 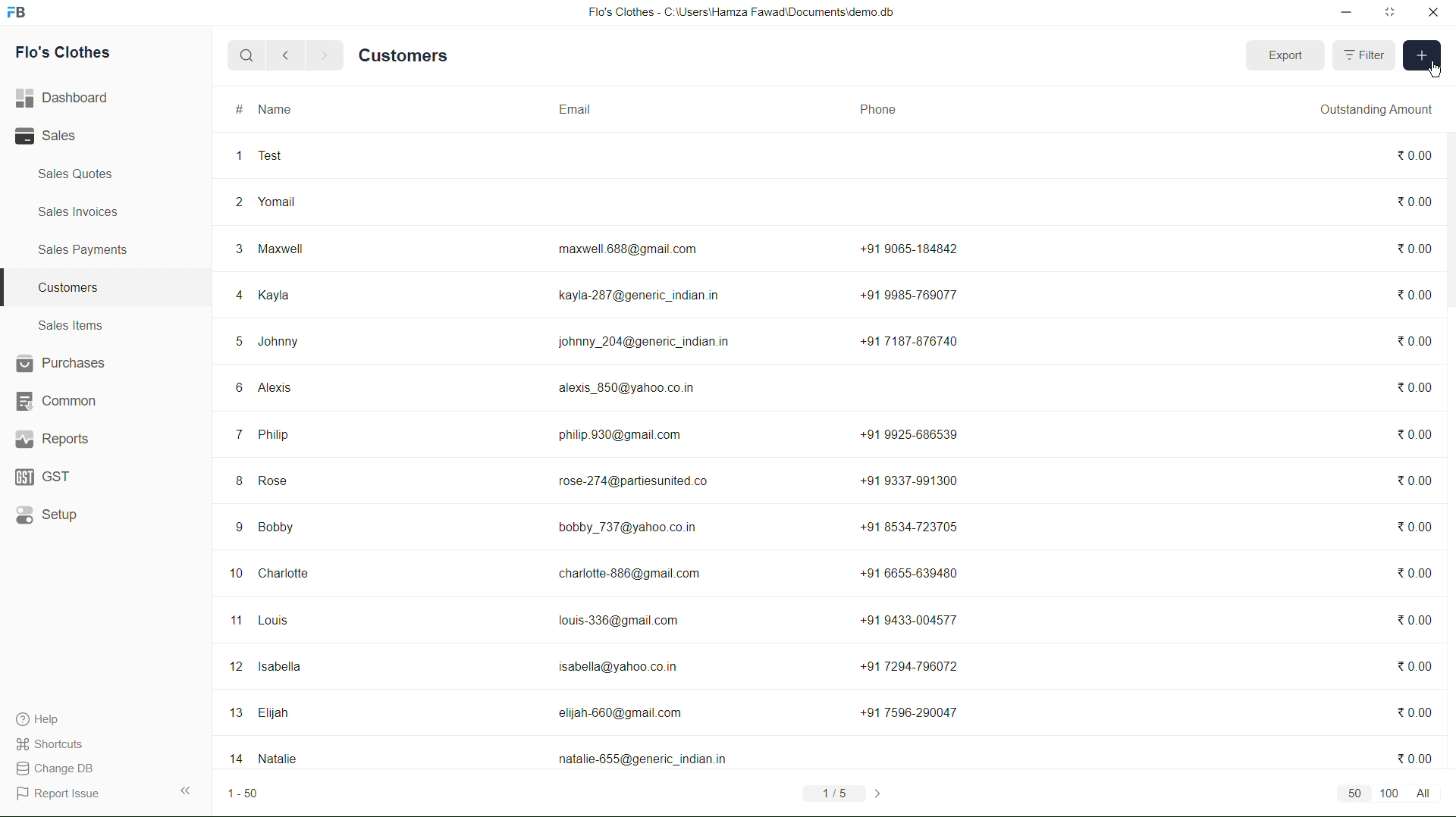 What do you see at coordinates (273, 434) in the screenshot?
I see `Philip` at bounding box center [273, 434].